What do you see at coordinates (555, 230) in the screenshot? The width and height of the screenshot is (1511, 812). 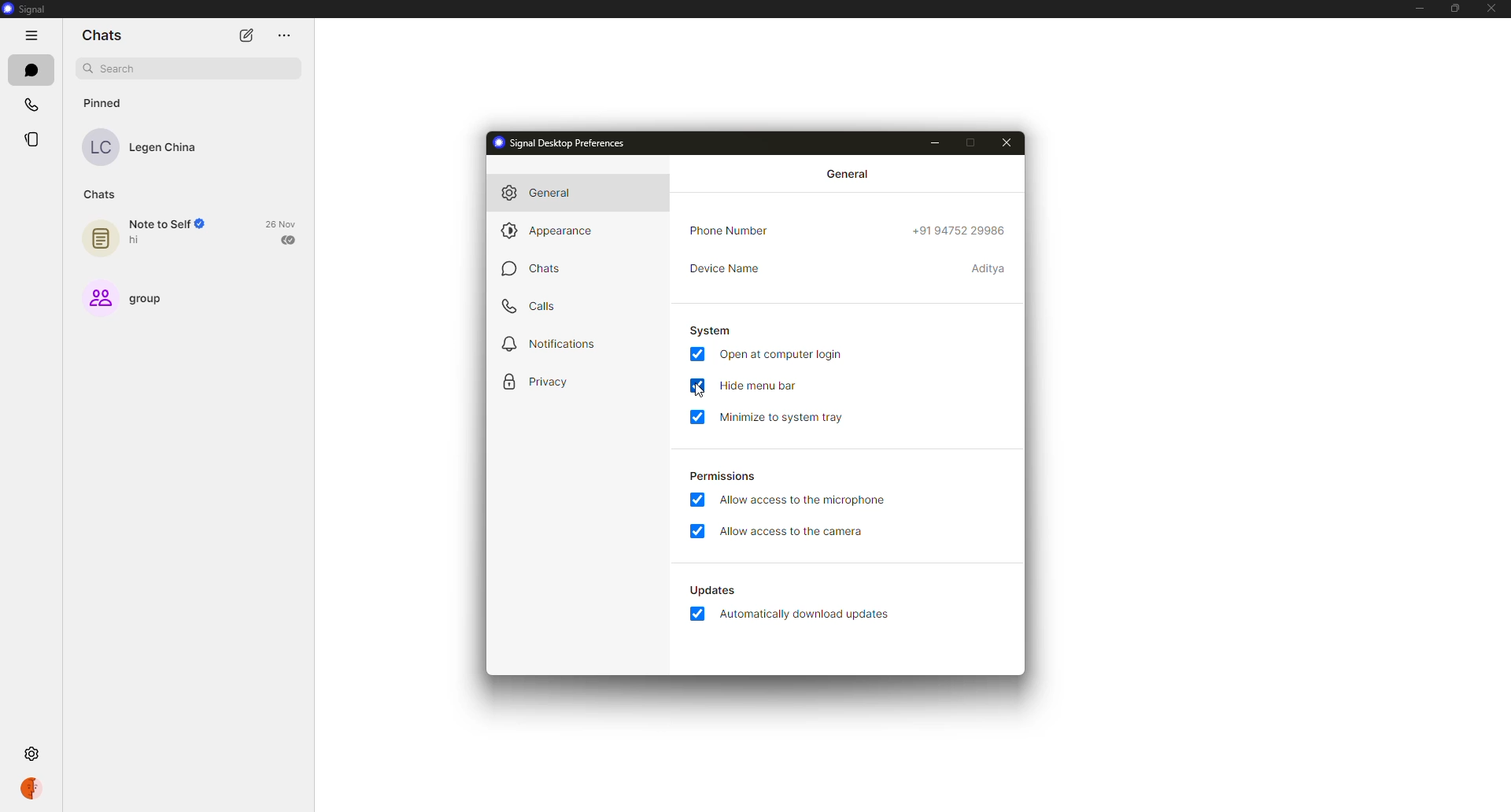 I see `appearance` at bounding box center [555, 230].